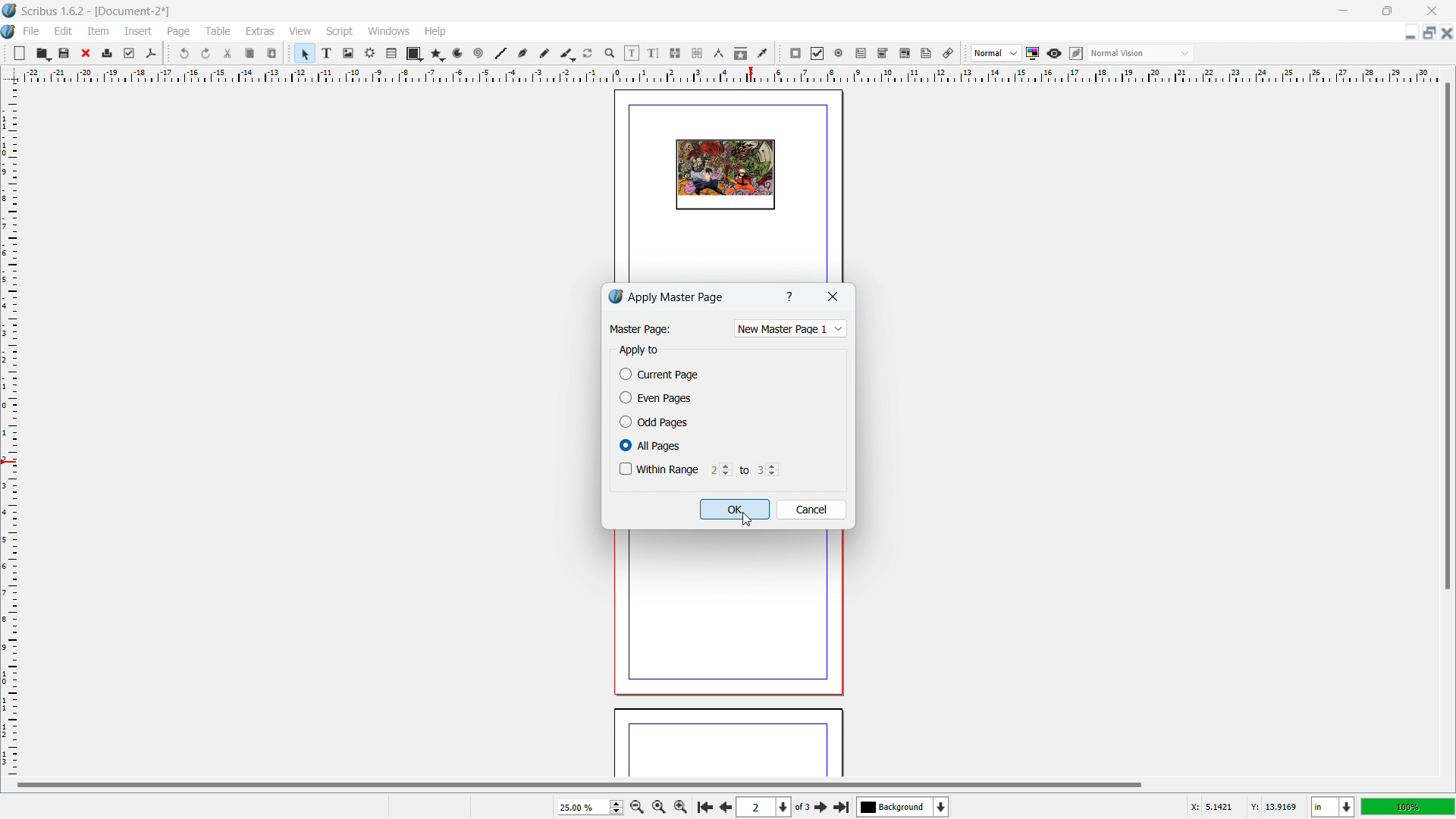 This screenshot has height=819, width=1456. I want to click on page, so click(728, 745).